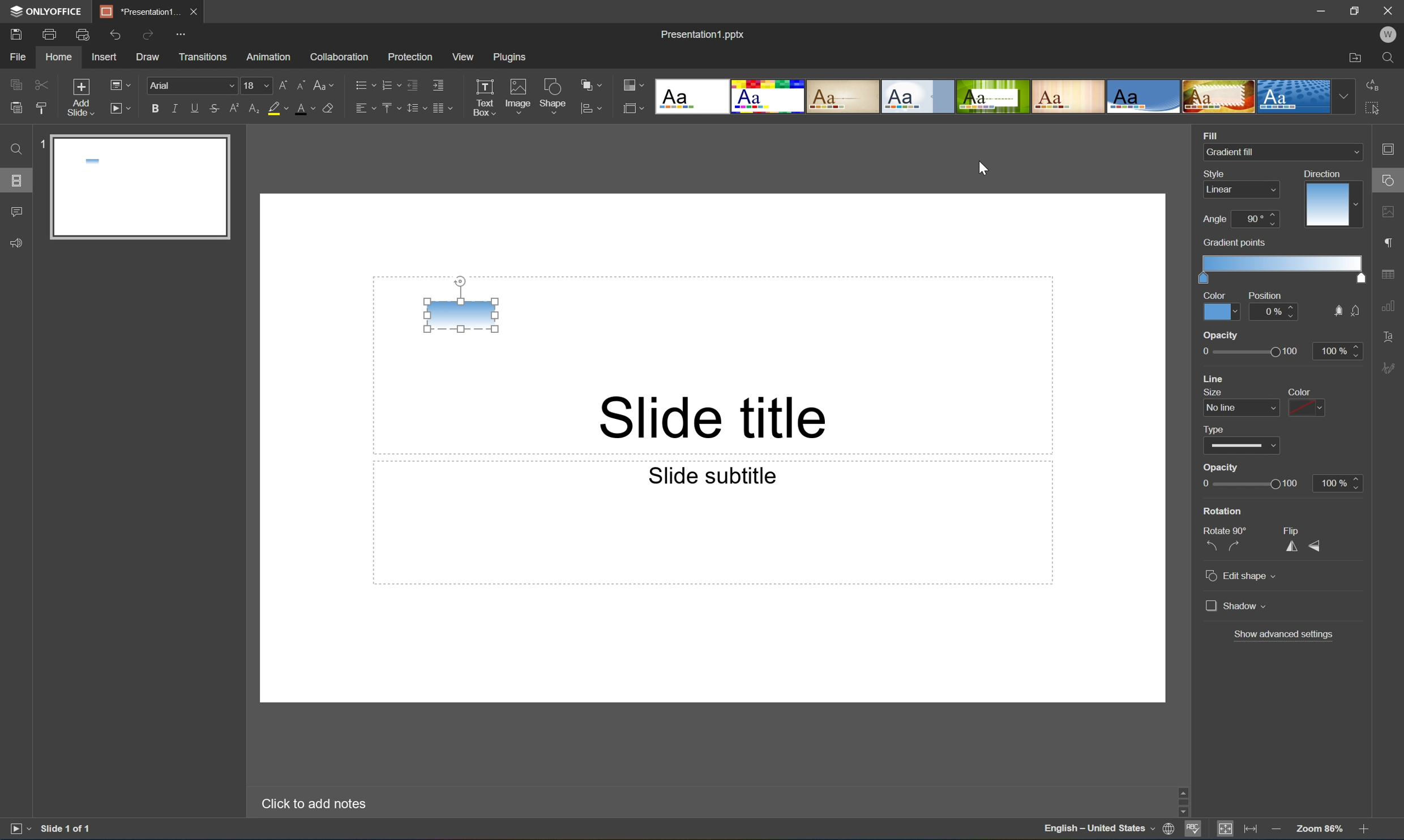  I want to click on Vertical align, so click(389, 108).